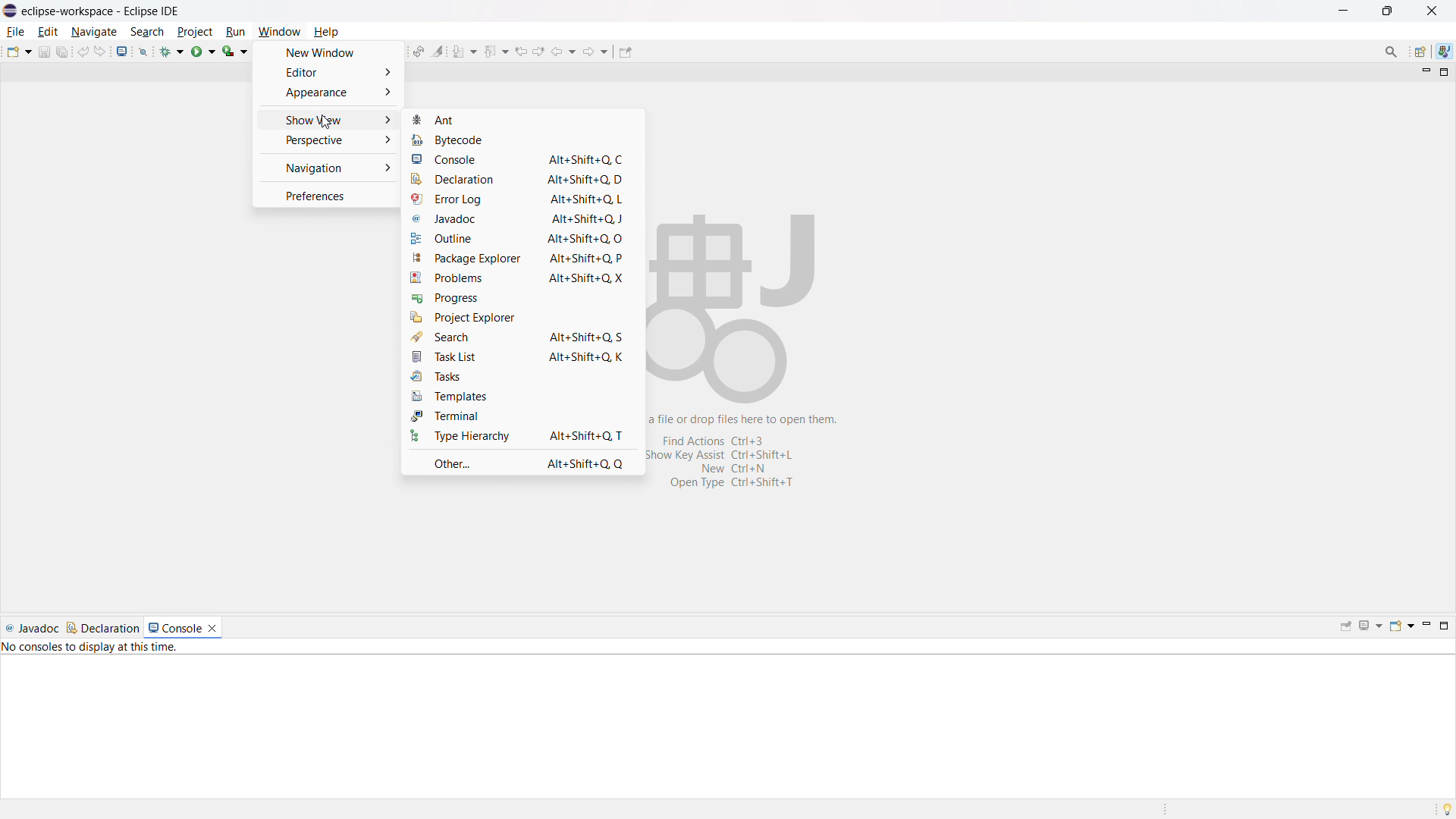  What do you see at coordinates (419, 52) in the screenshot?
I see `toggle ant editor auto reconcile` at bounding box center [419, 52].